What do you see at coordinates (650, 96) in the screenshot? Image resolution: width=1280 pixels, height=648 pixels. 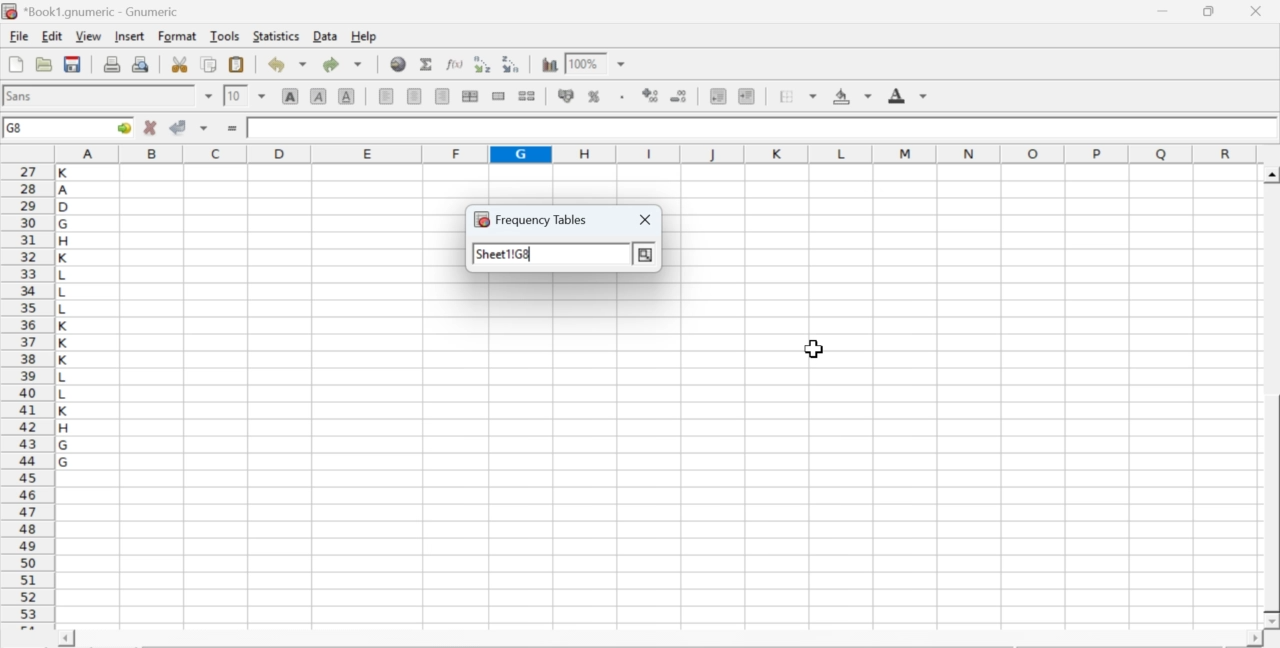 I see `decrease number of decimals displayed` at bounding box center [650, 96].